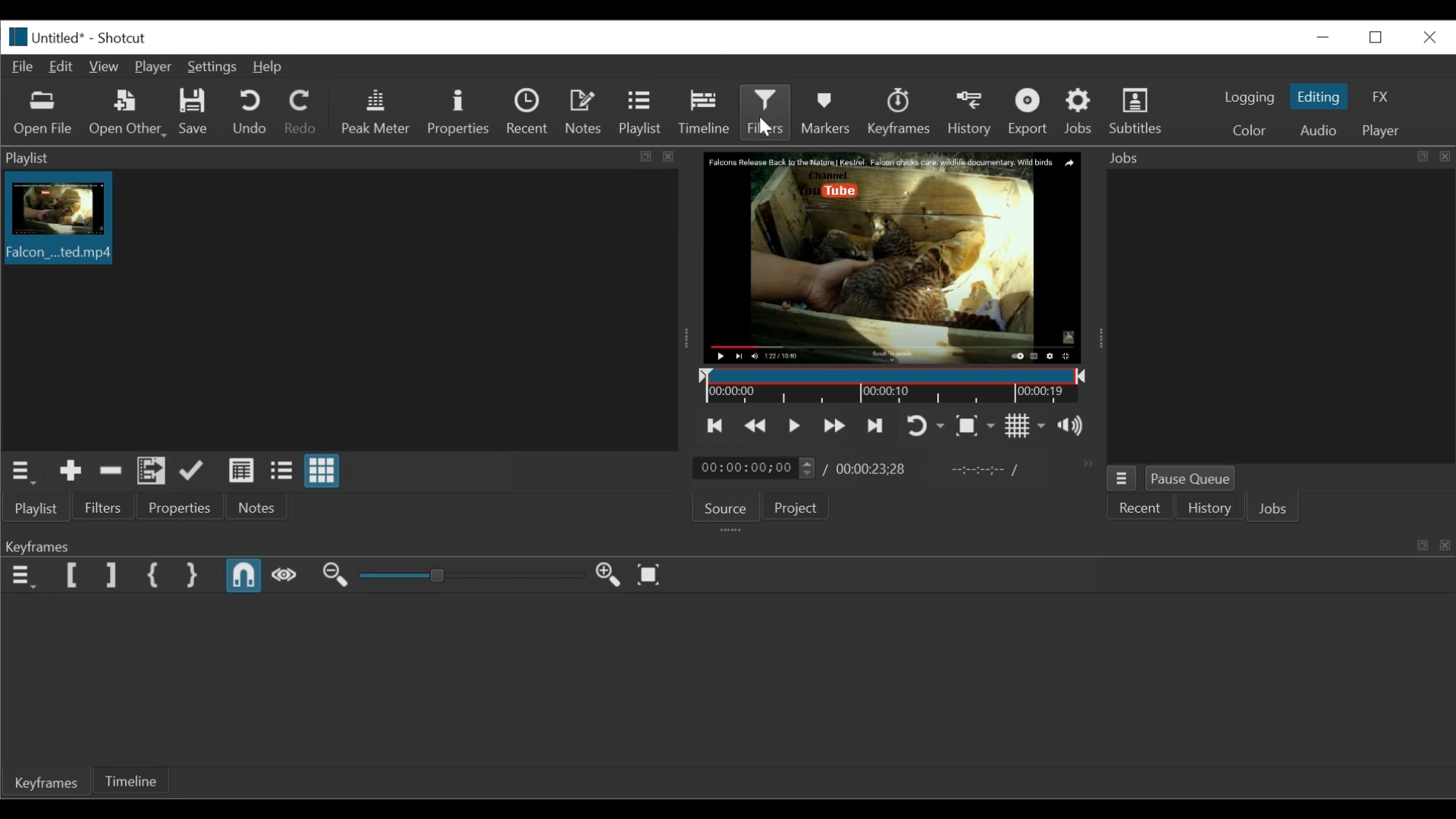 The image size is (1456, 819). Describe the element at coordinates (253, 113) in the screenshot. I see `Undo` at that location.